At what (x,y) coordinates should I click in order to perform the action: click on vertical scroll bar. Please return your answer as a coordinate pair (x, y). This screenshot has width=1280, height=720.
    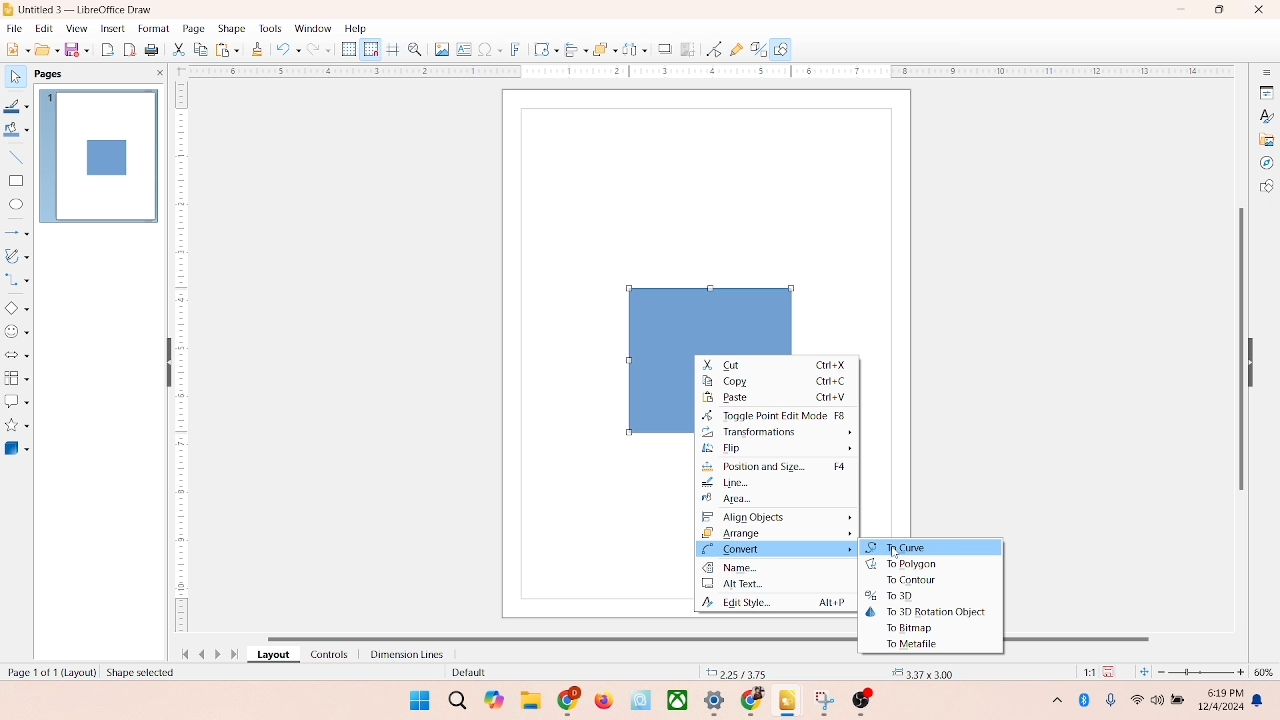
    Looking at the image, I should click on (1239, 347).